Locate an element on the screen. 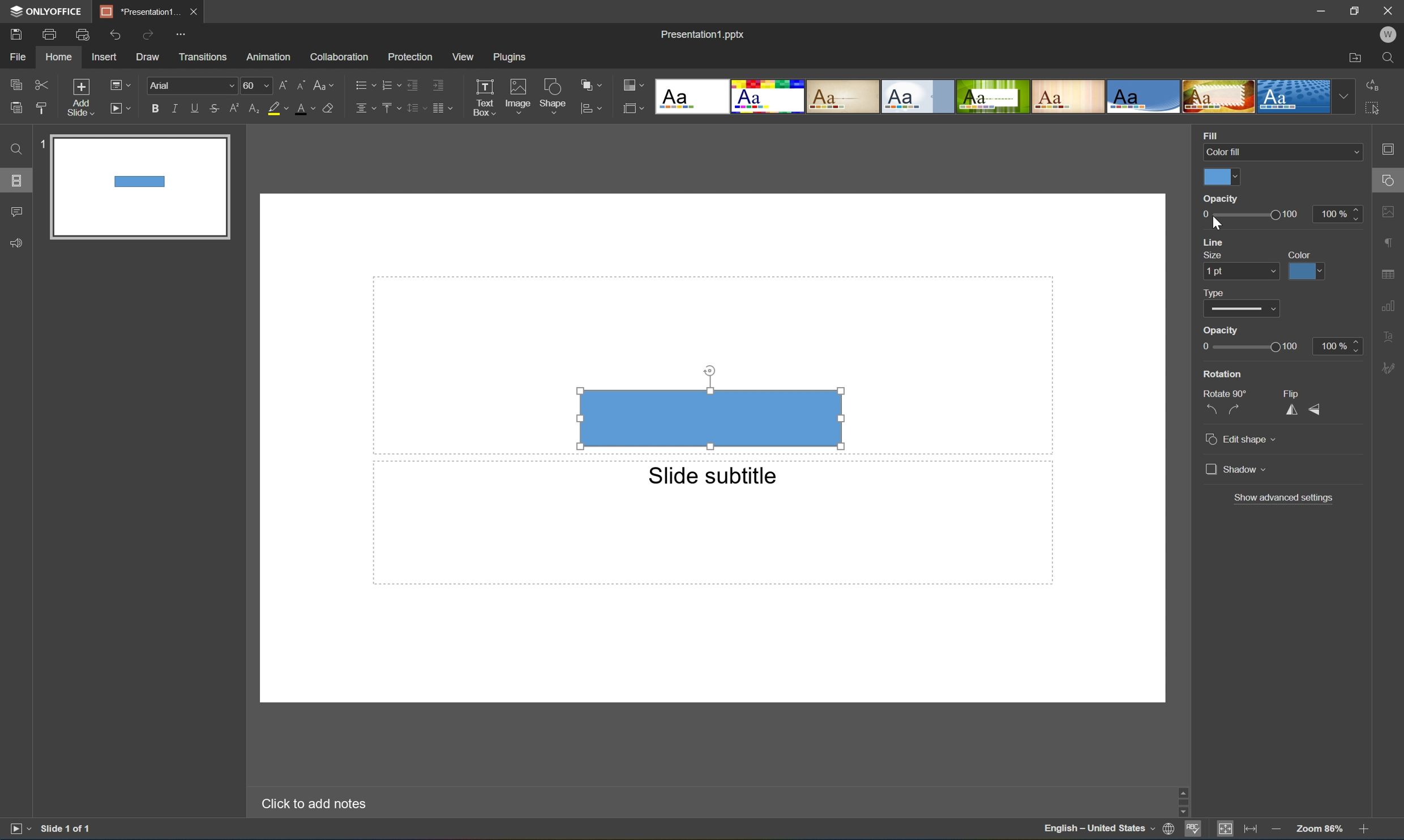 The width and height of the screenshot is (1404, 840). 100 is located at coordinates (1292, 215).